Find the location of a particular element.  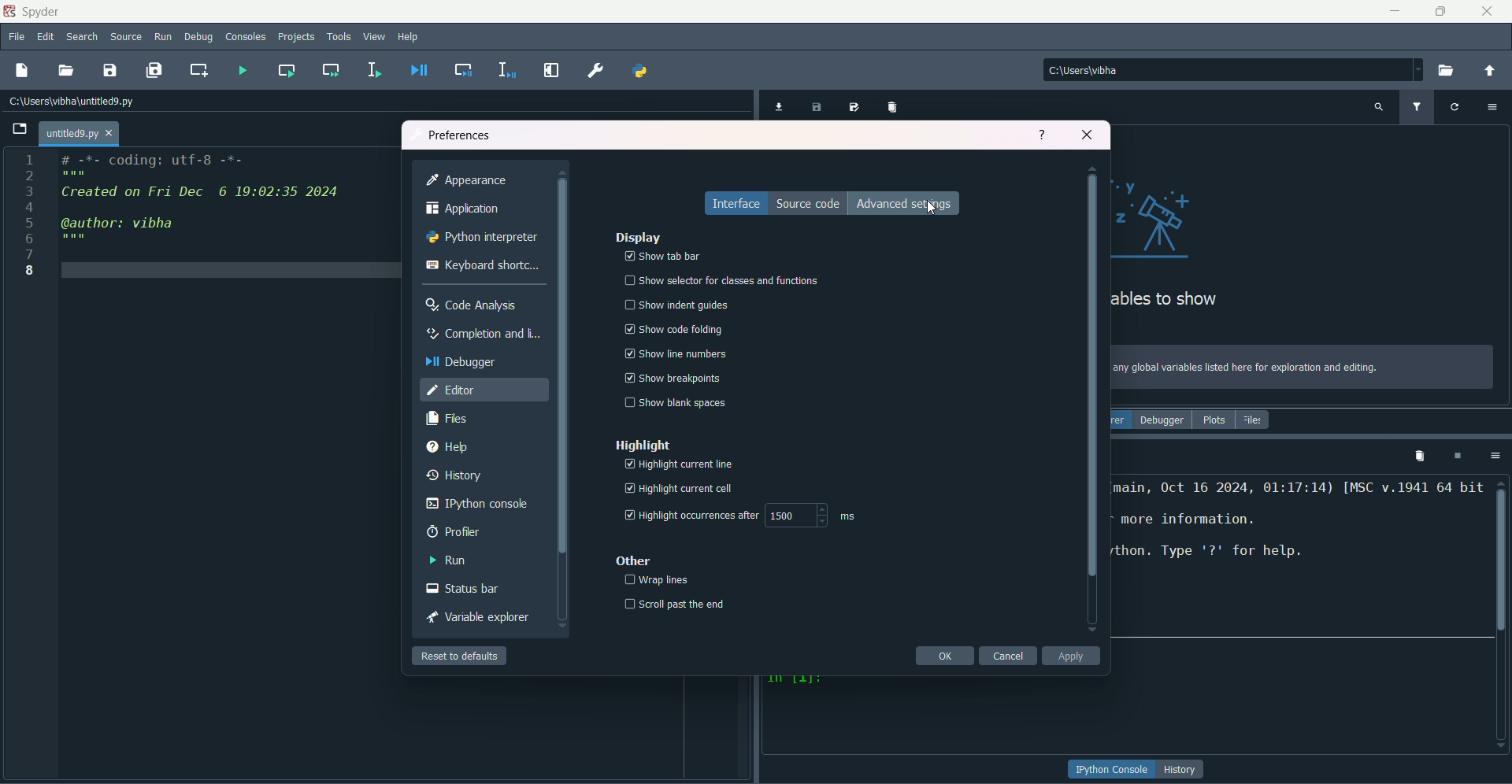

run is located at coordinates (164, 37).